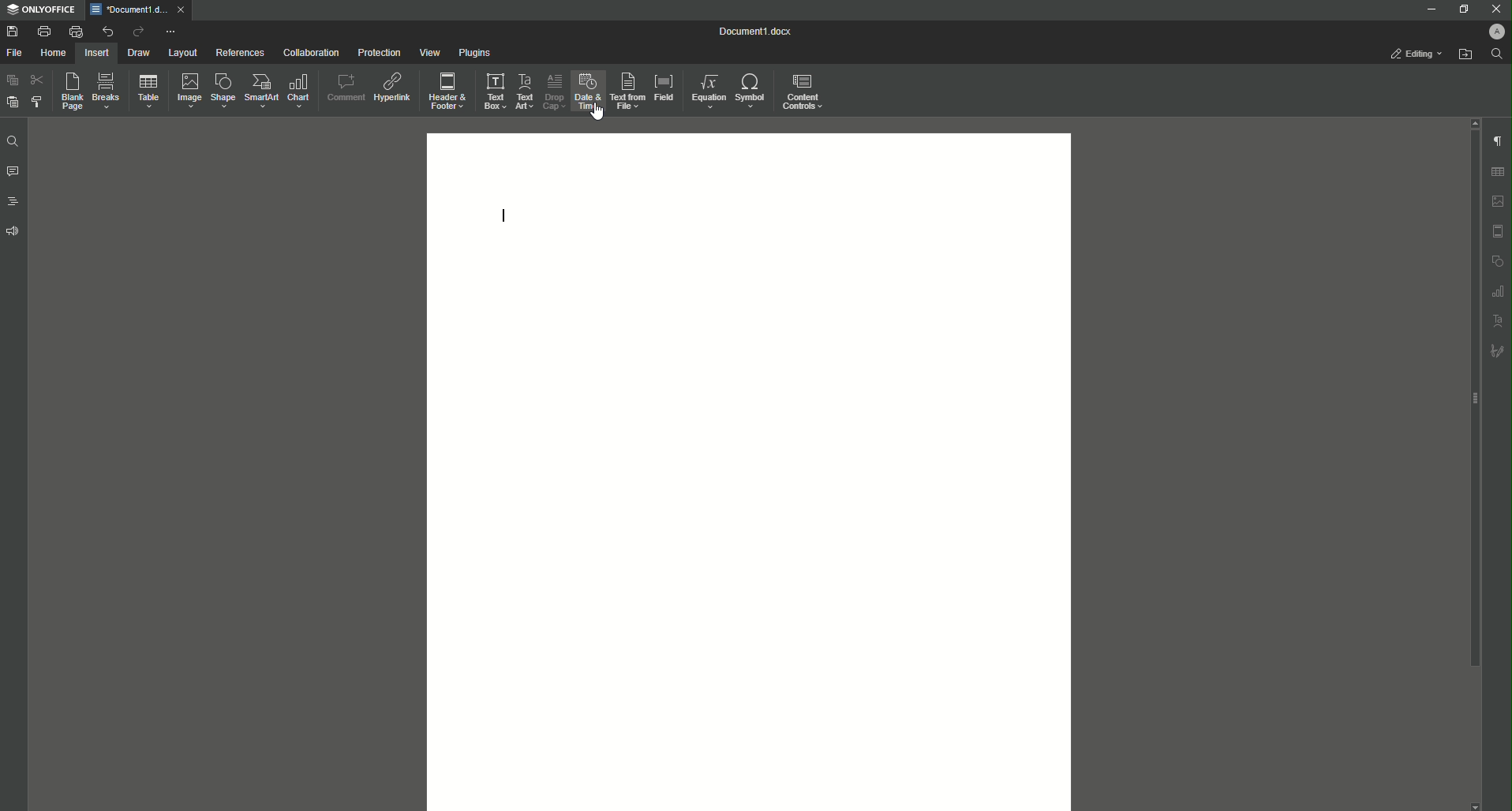 This screenshot has height=811, width=1512. Describe the element at coordinates (709, 91) in the screenshot. I see `Equation` at that location.